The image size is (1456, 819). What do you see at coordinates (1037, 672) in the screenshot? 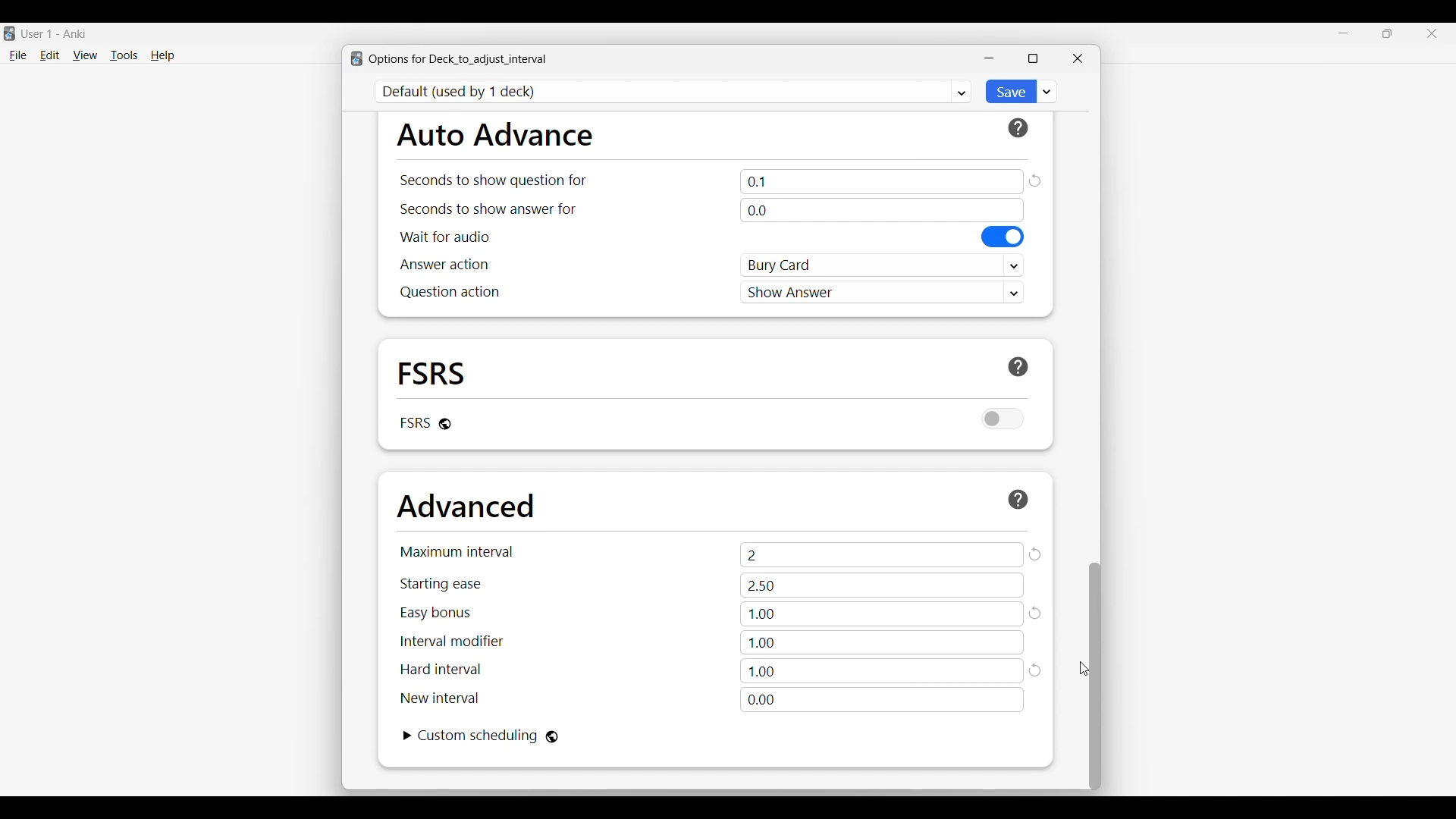
I see `reload` at bounding box center [1037, 672].